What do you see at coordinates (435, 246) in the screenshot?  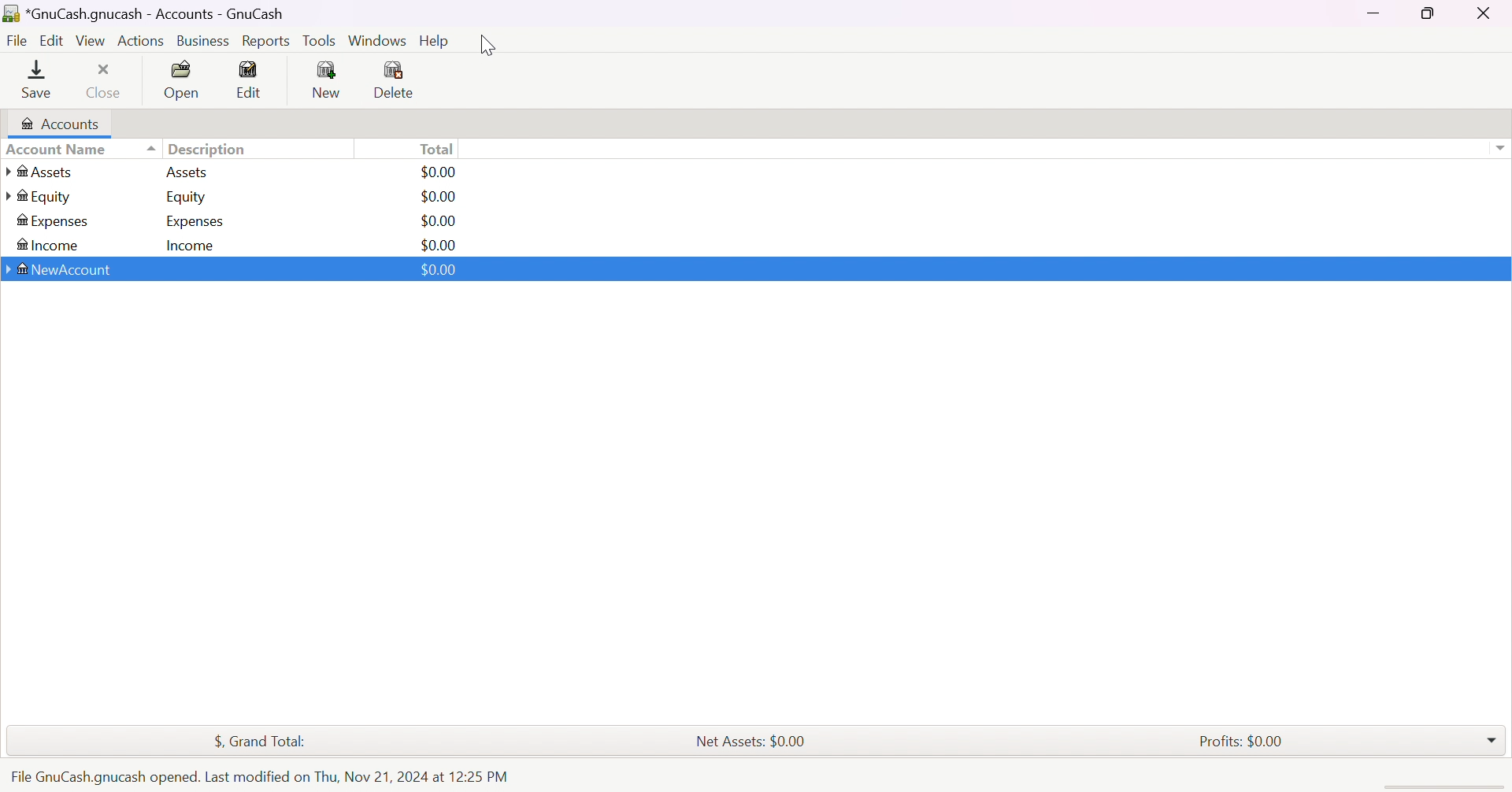 I see `$0.00` at bounding box center [435, 246].